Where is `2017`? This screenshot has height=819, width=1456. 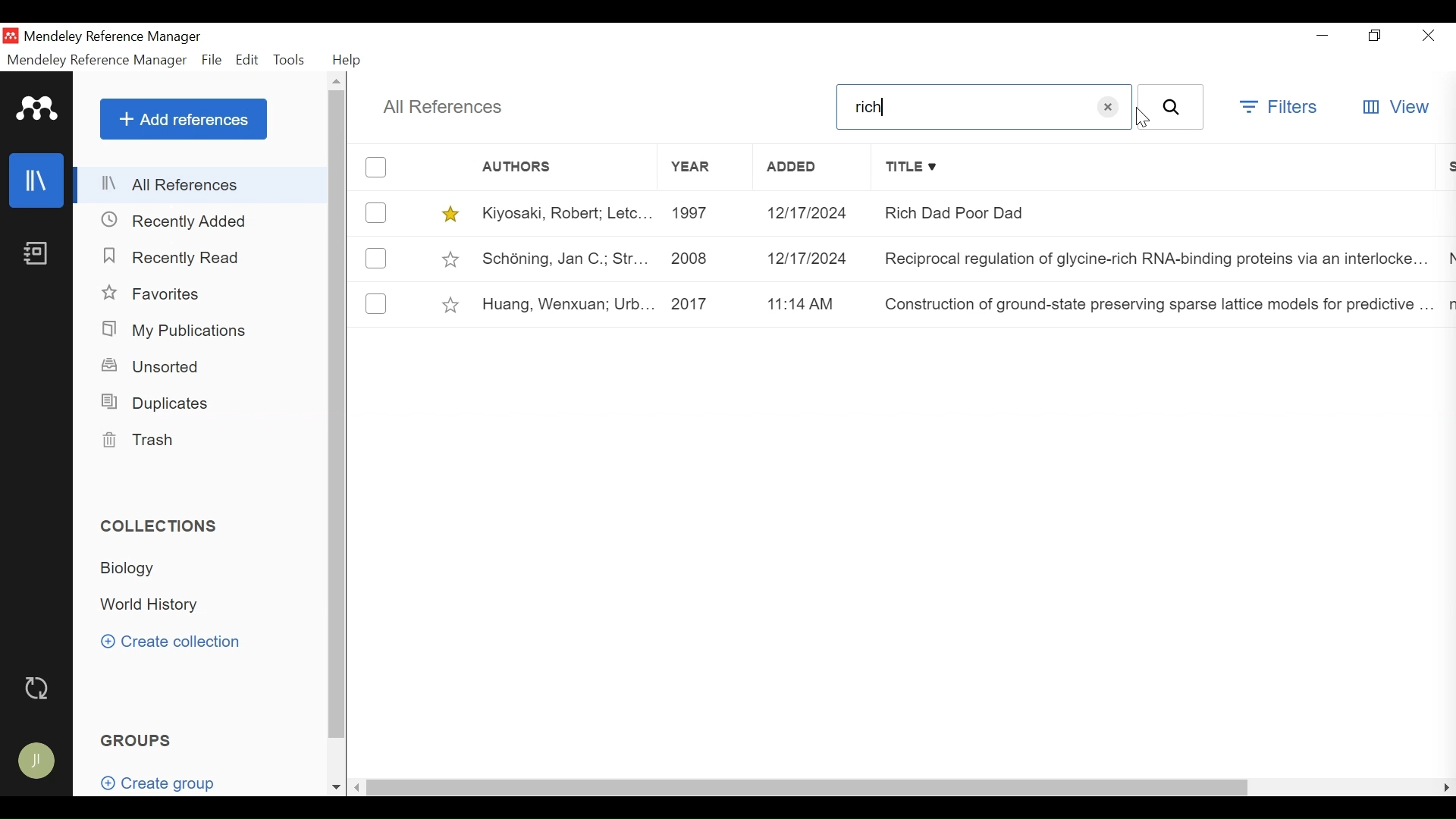
2017 is located at coordinates (704, 304).